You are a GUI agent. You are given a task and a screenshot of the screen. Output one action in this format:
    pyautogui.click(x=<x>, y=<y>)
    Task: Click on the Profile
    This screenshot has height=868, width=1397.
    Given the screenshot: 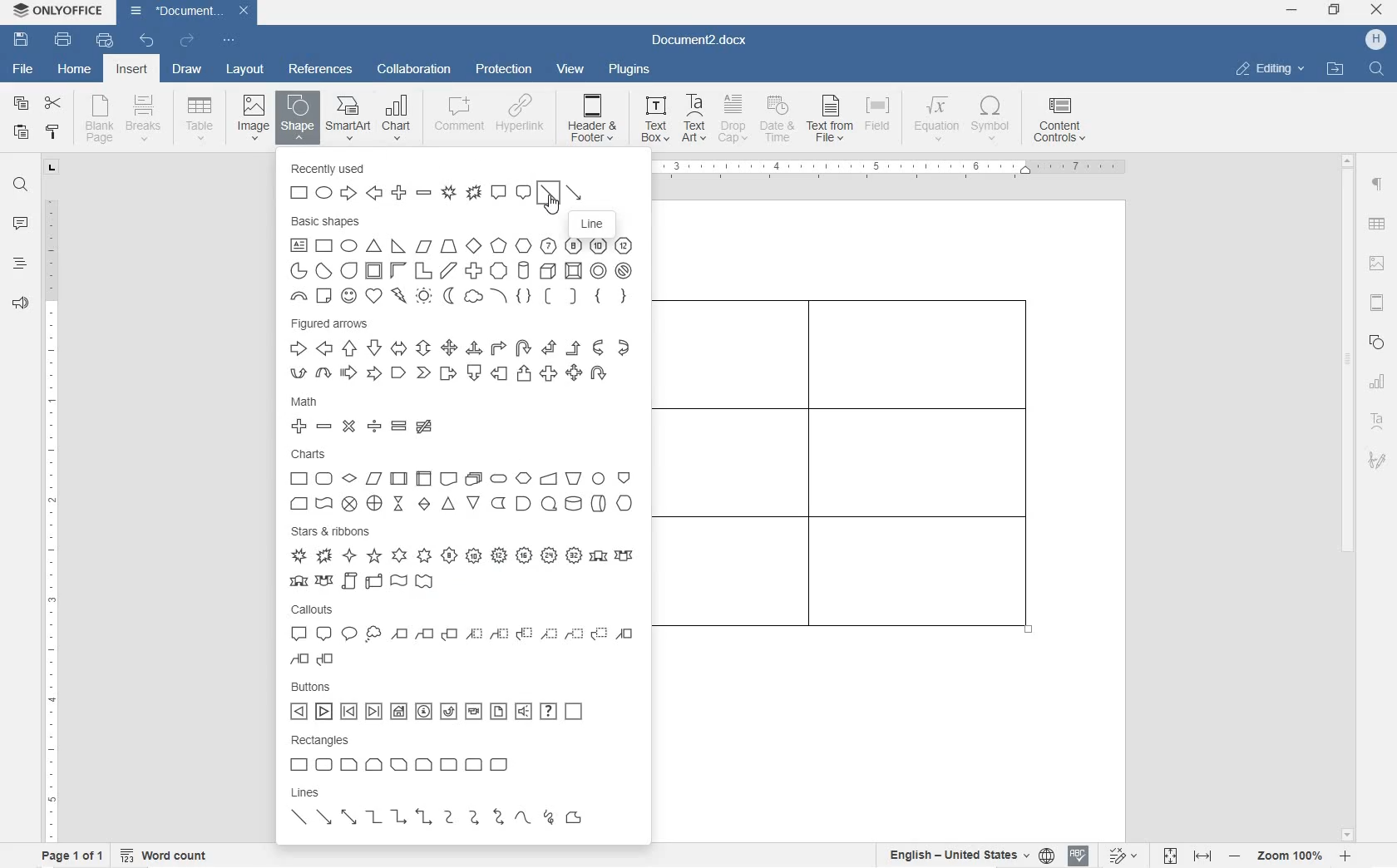 What is the action you would take?
    pyautogui.click(x=1377, y=40)
    